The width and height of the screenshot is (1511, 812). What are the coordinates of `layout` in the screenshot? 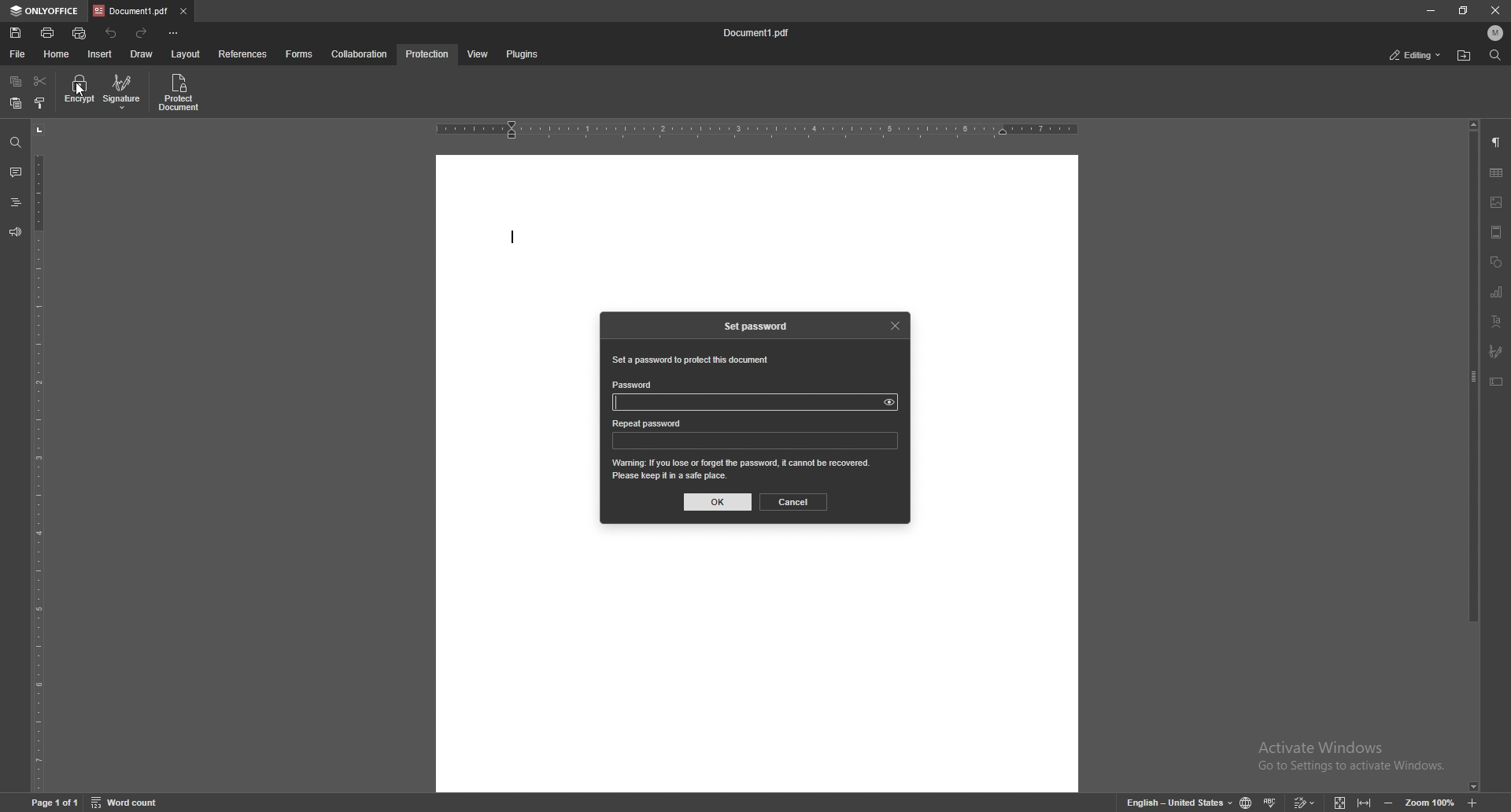 It's located at (188, 54).